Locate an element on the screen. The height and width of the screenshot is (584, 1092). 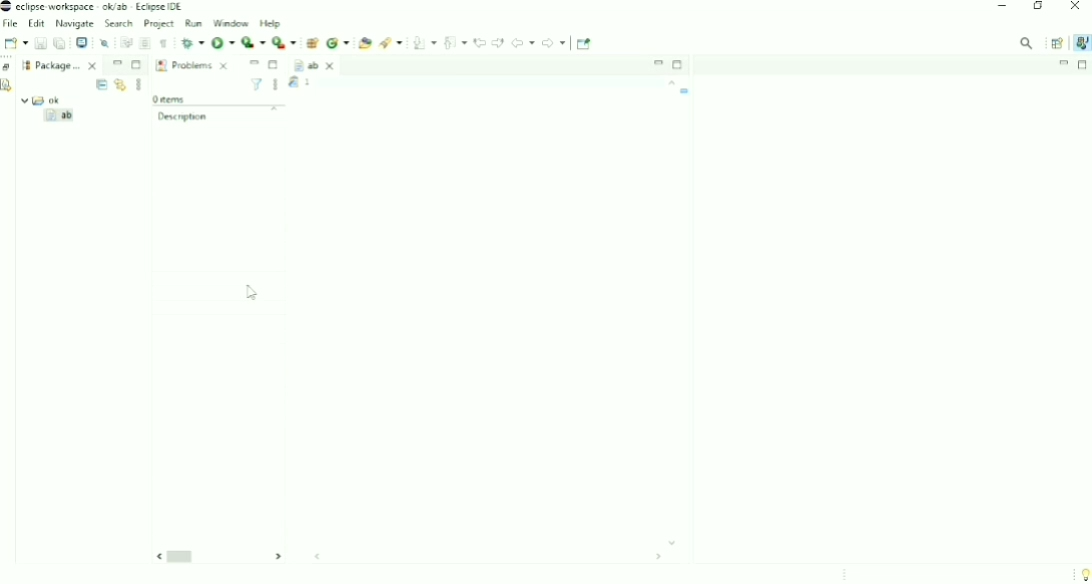
Toggle Word Wrap is located at coordinates (125, 42).